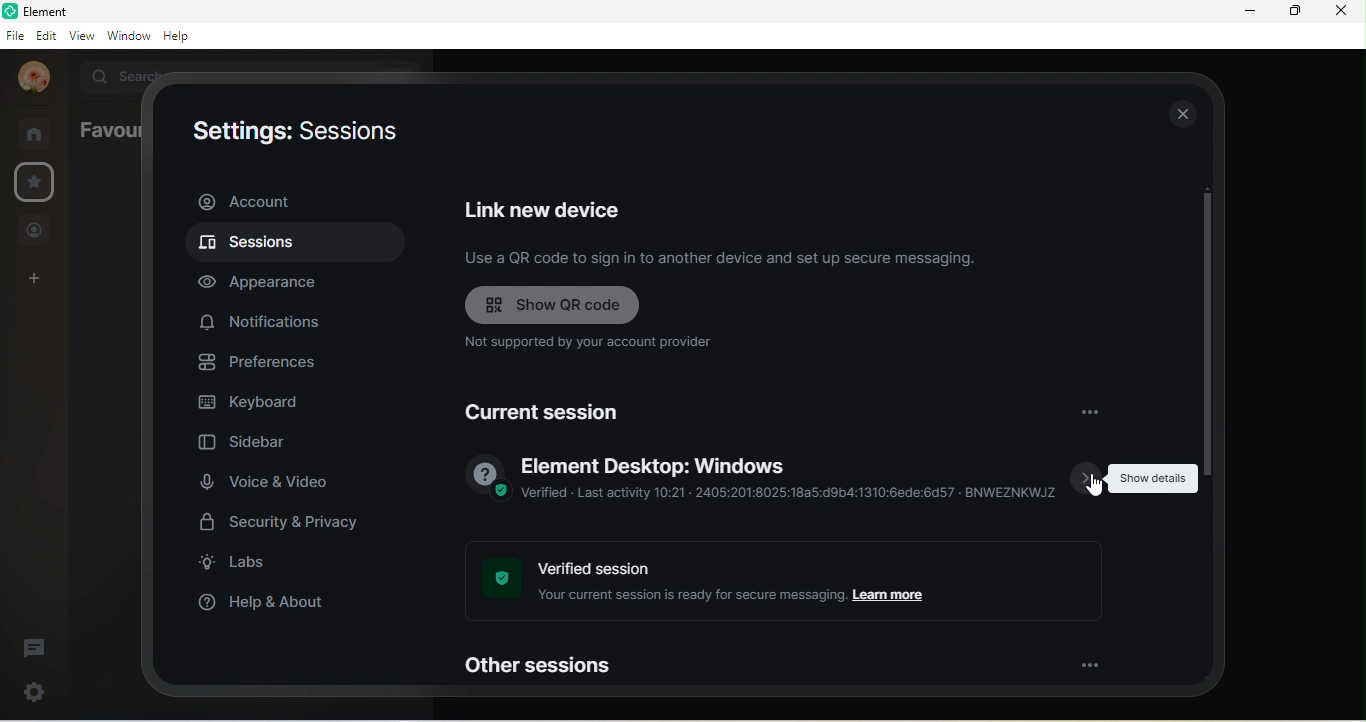  Describe the element at coordinates (39, 133) in the screenshot. I see `rooms` at that location.